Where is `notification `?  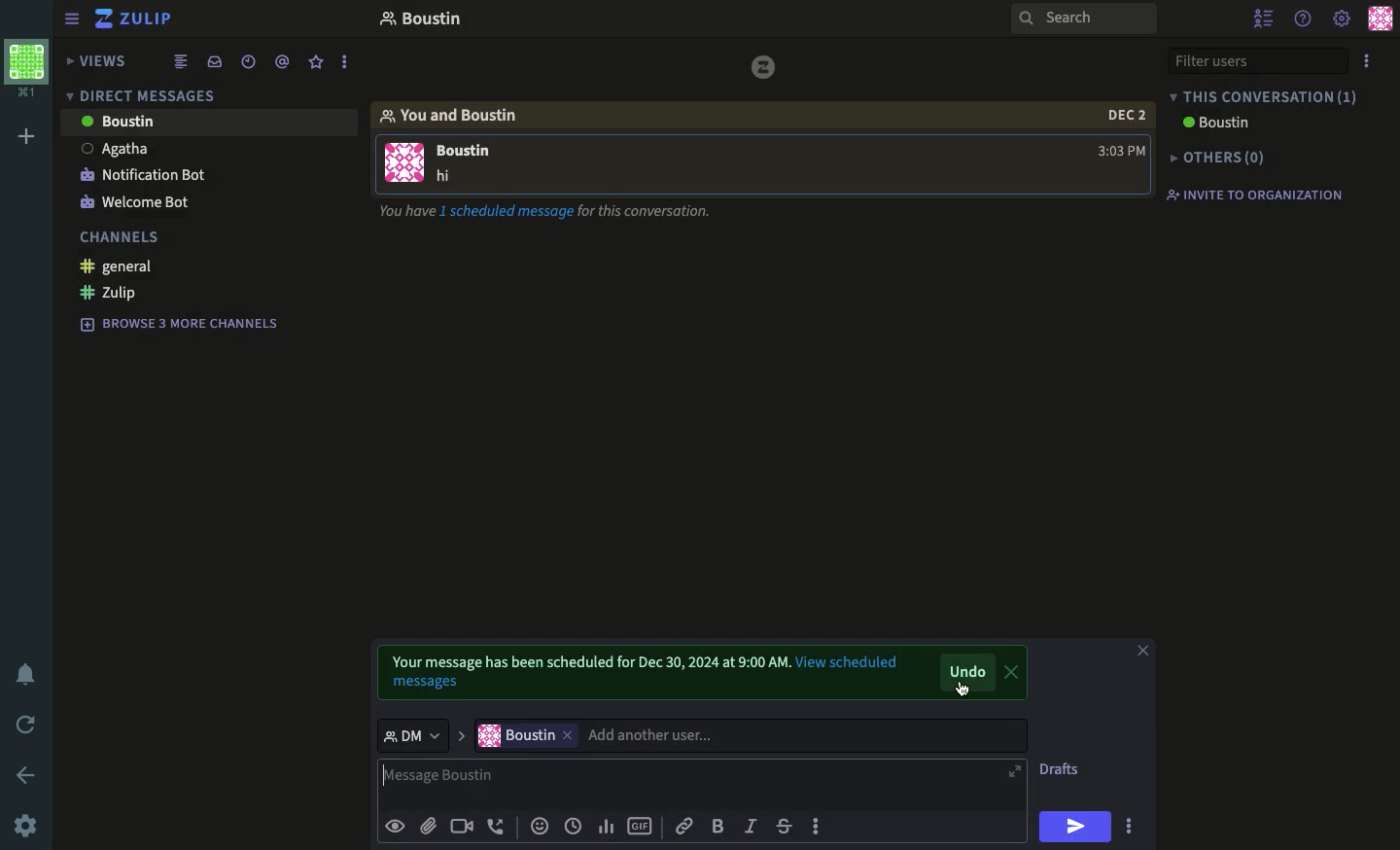 notification  is located at coordinates (28, 674).